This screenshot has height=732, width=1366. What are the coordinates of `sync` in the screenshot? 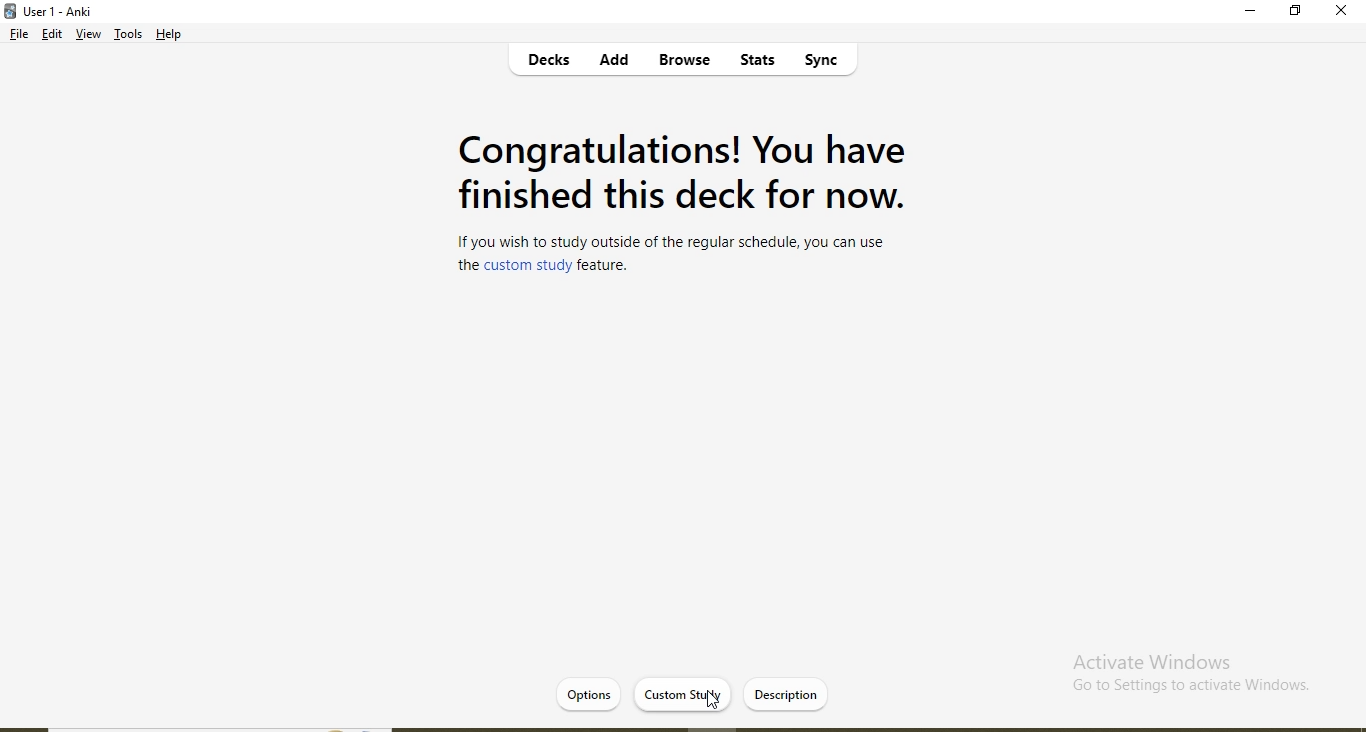 It's located at (829, 63).